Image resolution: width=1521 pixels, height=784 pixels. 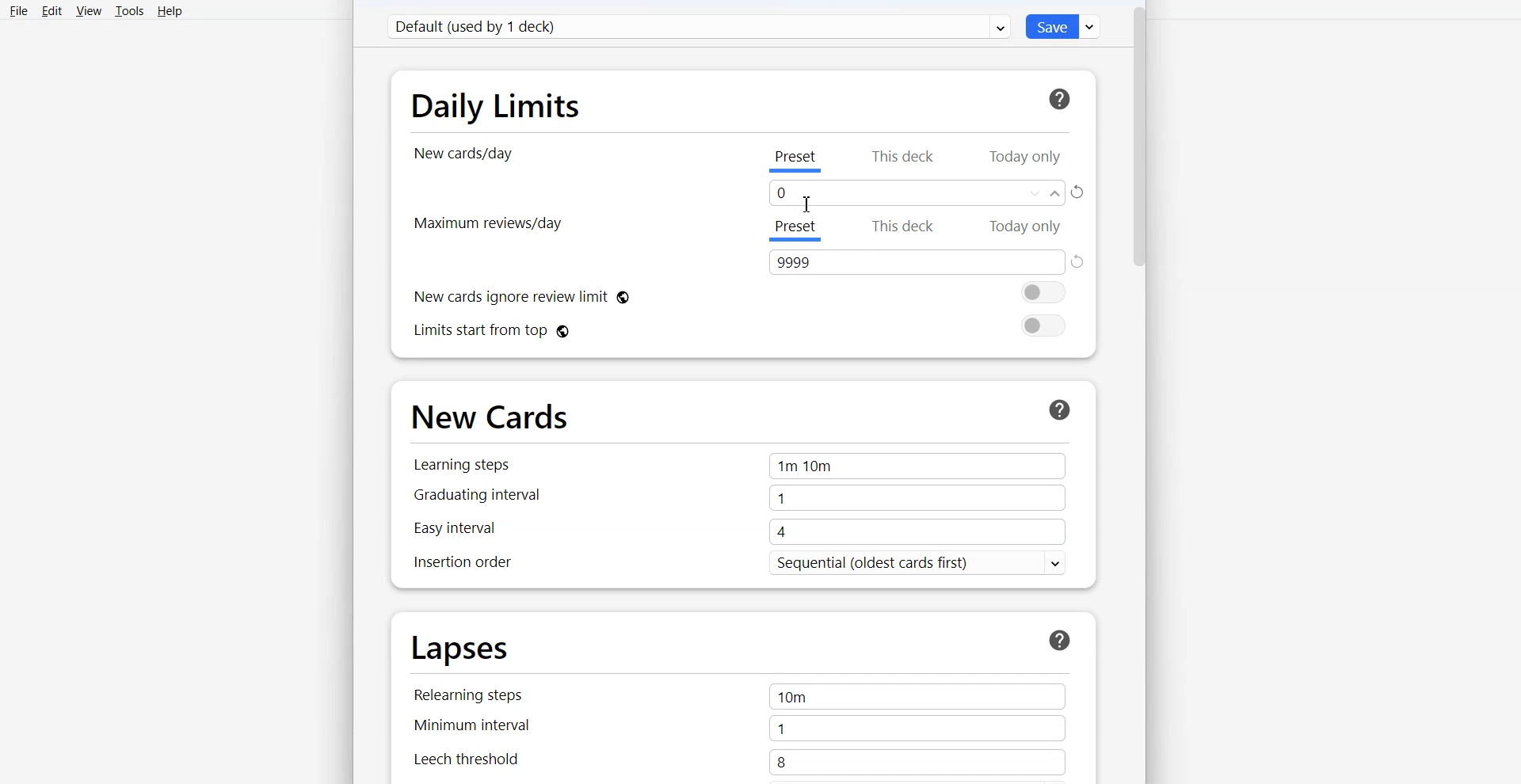 What do you see at coordinates (1065, 27) in the screenshot?
I see `Save` at bounding box center [1065, 27].